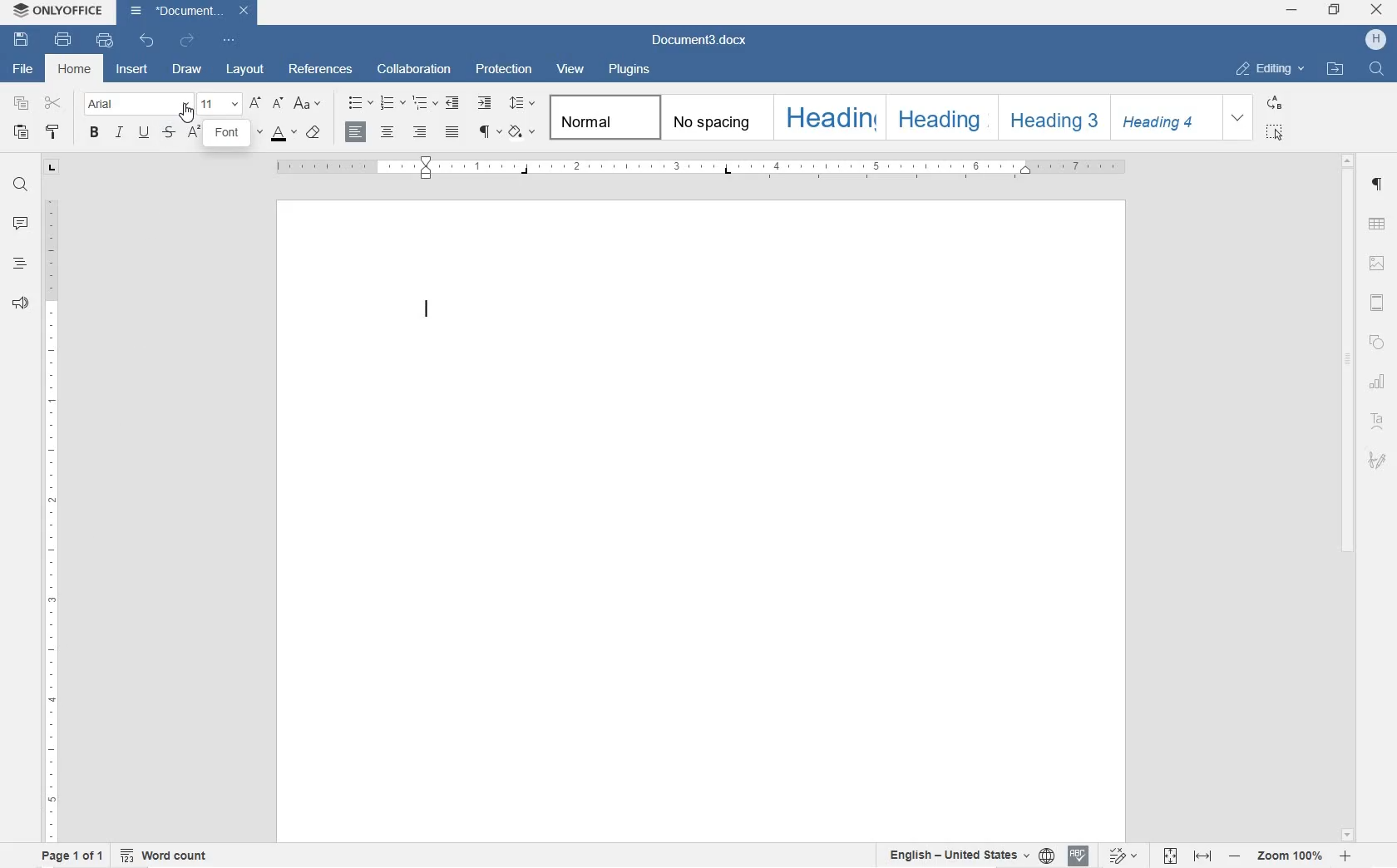  I want to click on ZOOM IN OR OUT, so click(1289, 854).